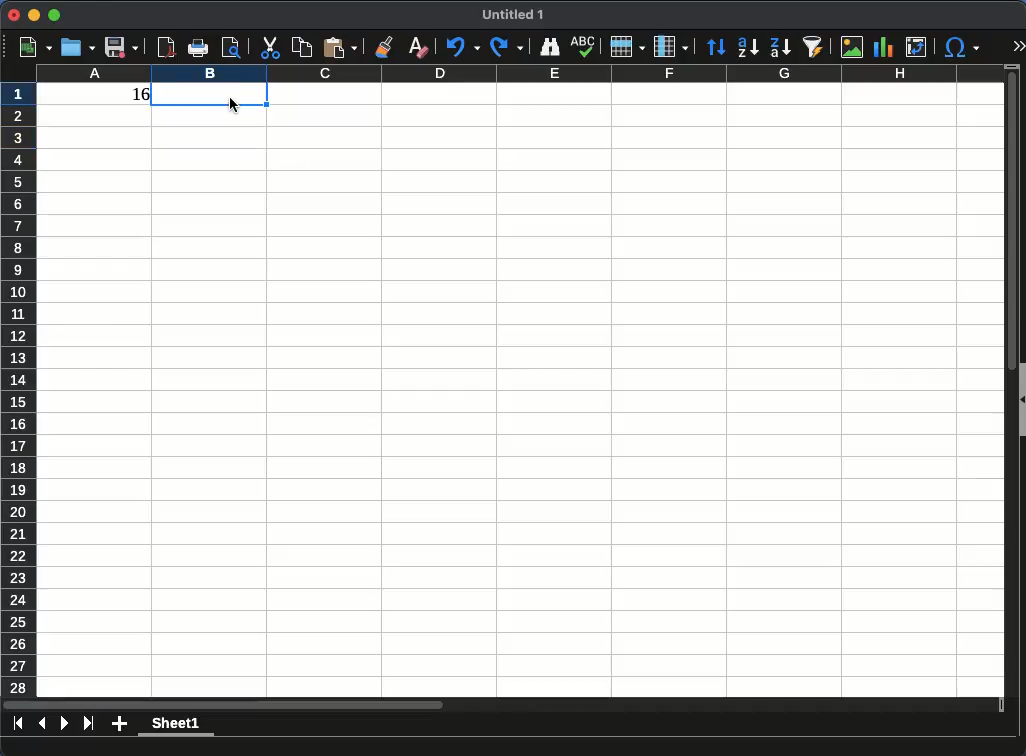  I want to click on spell check, so click(584, 47).